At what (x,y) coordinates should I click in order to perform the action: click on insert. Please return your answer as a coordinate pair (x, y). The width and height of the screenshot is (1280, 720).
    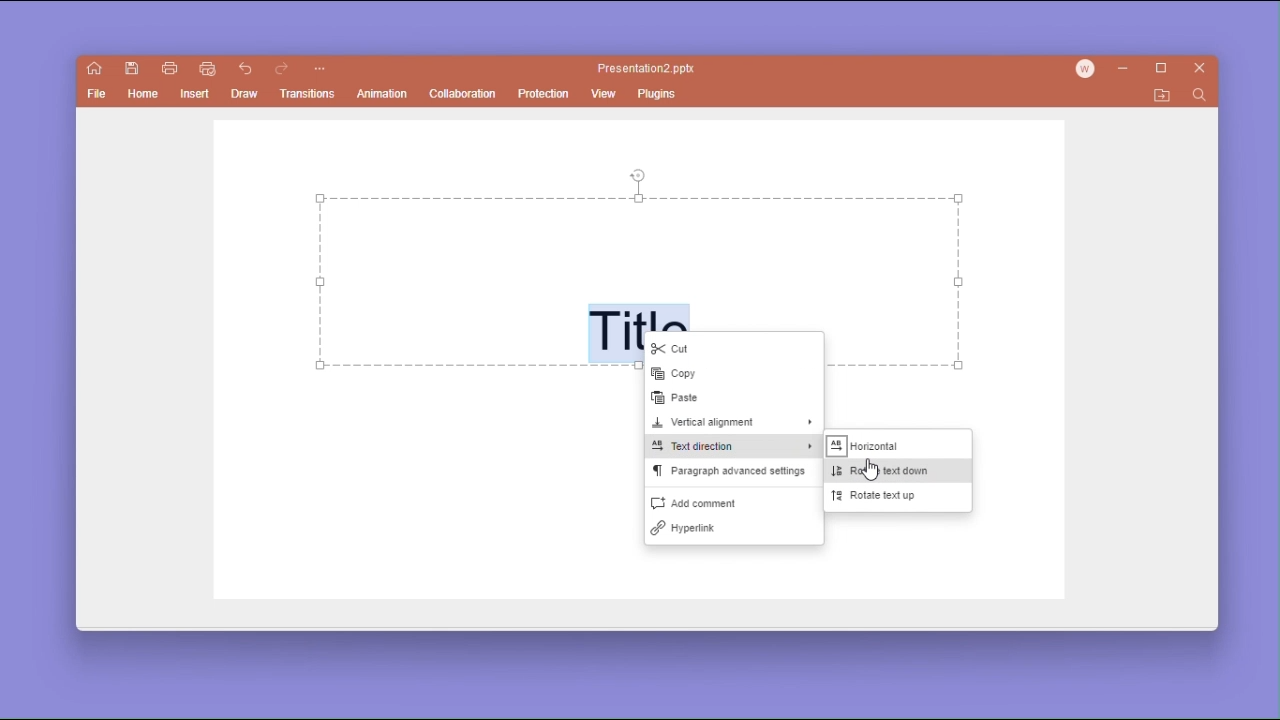
    Looking at the image, I should click on (194, 96).